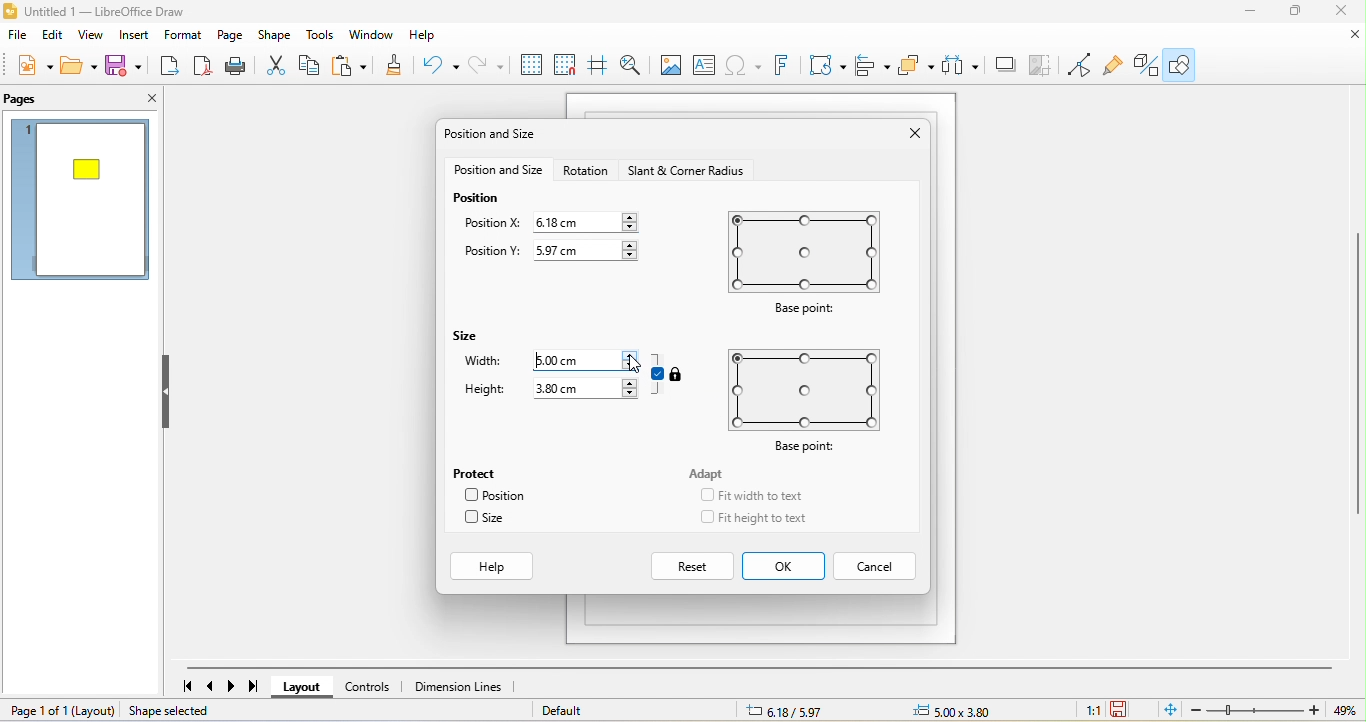  I want to click on horizontal scroll bar, so click(770, 667).